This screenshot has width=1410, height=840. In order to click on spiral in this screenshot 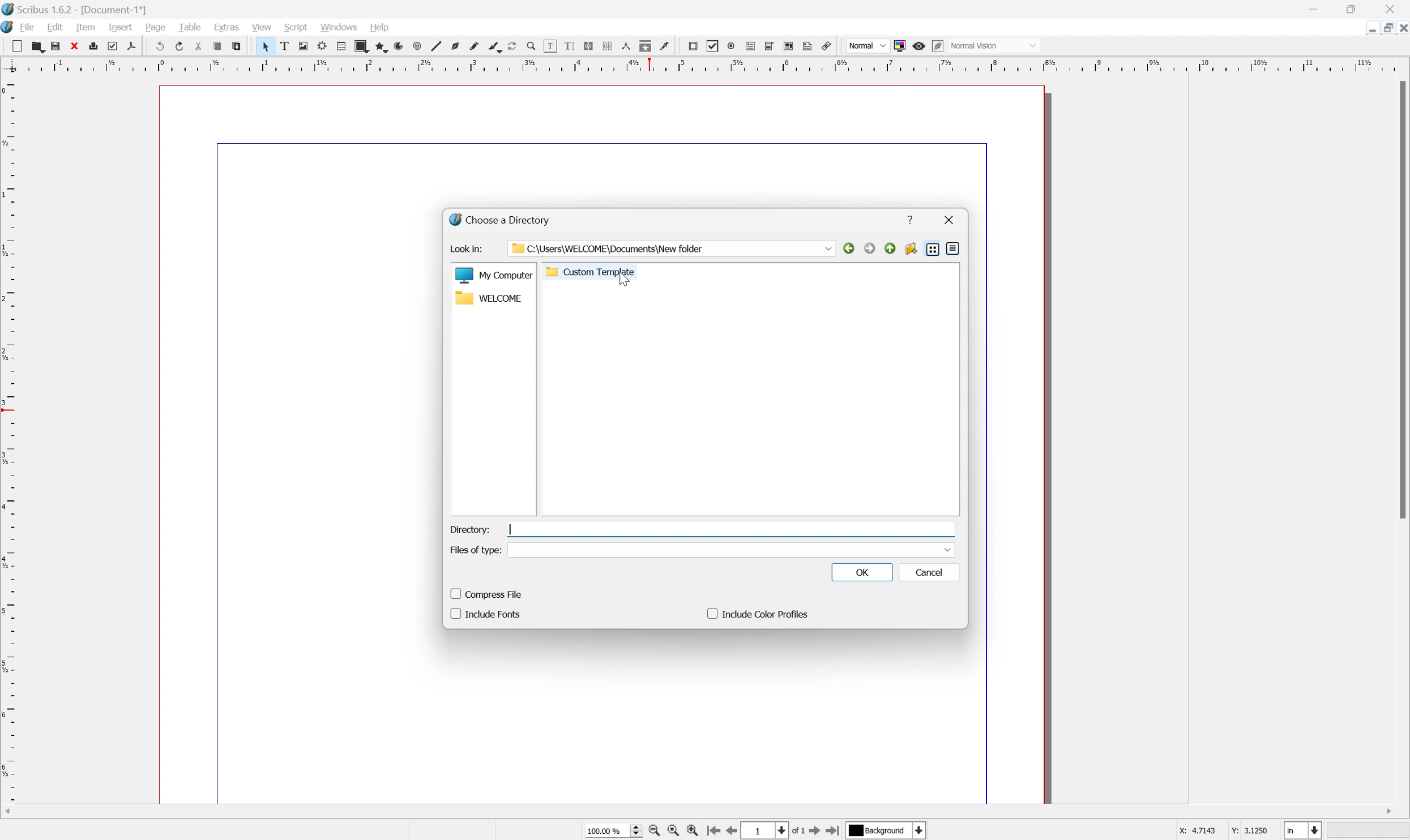, I will do `click(413, 46)`.